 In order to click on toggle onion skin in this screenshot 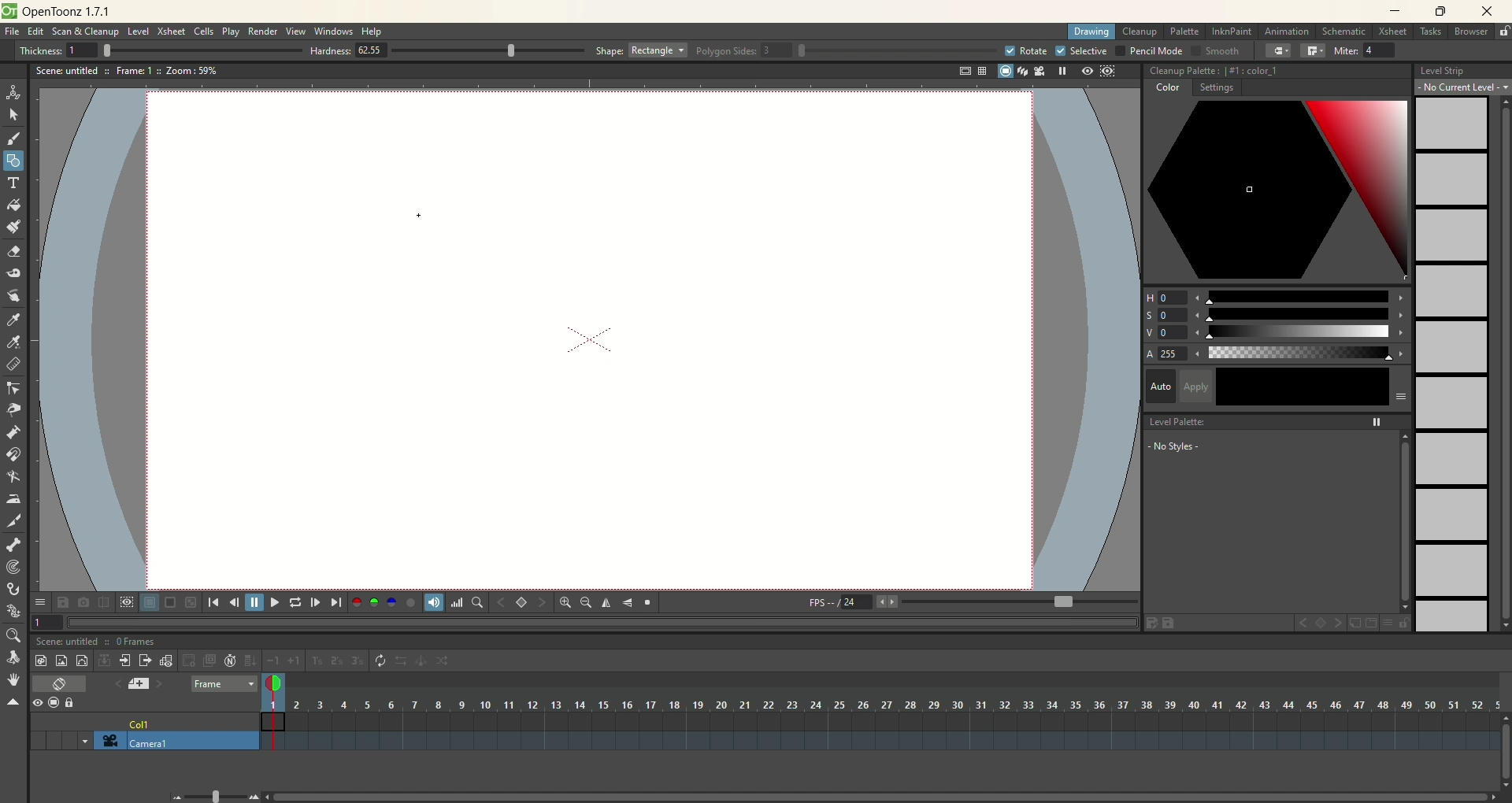, I will do `click(272, 684)`.